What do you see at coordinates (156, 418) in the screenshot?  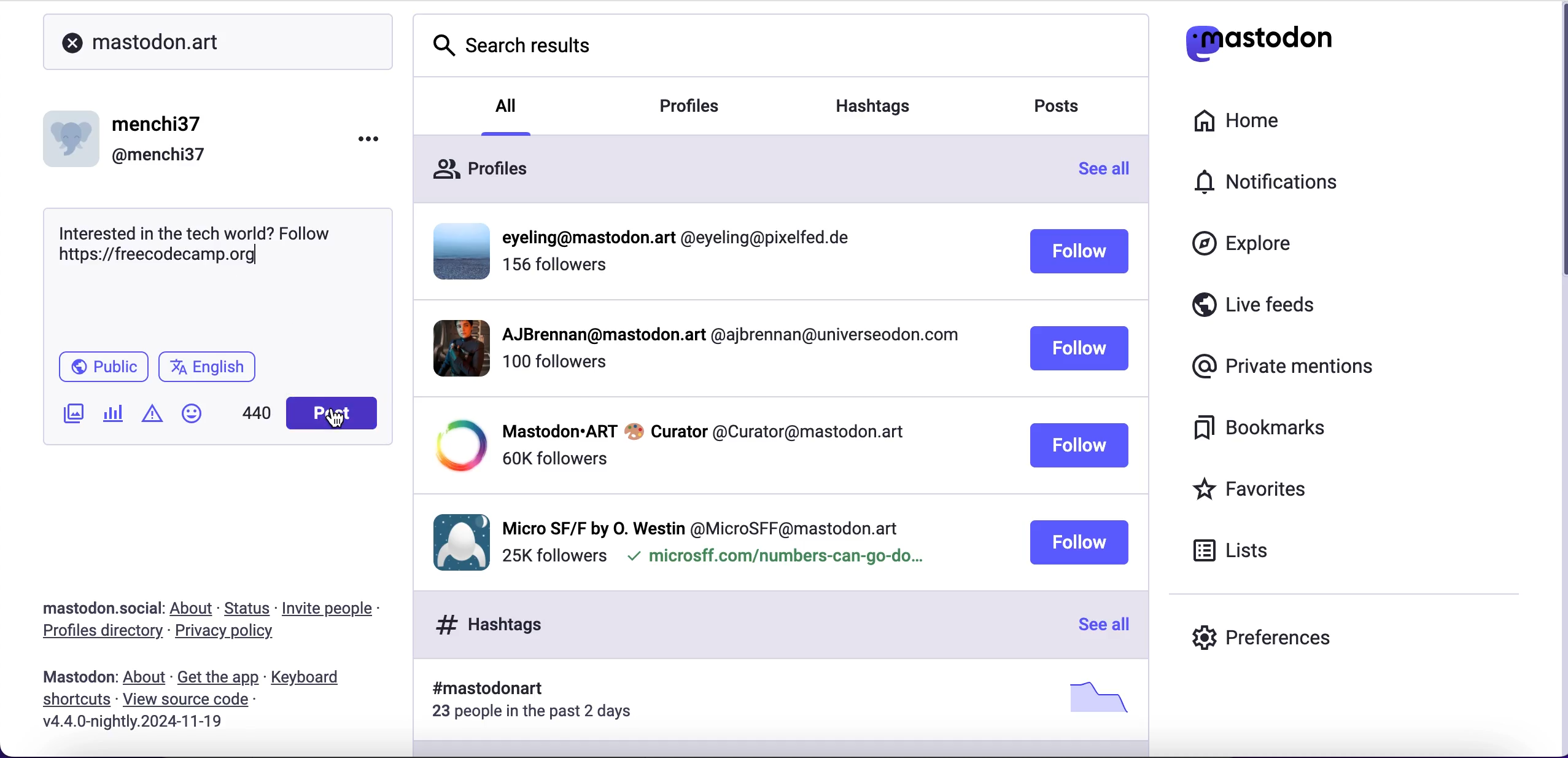 I see `add warning` at bounding box center [156, 418].